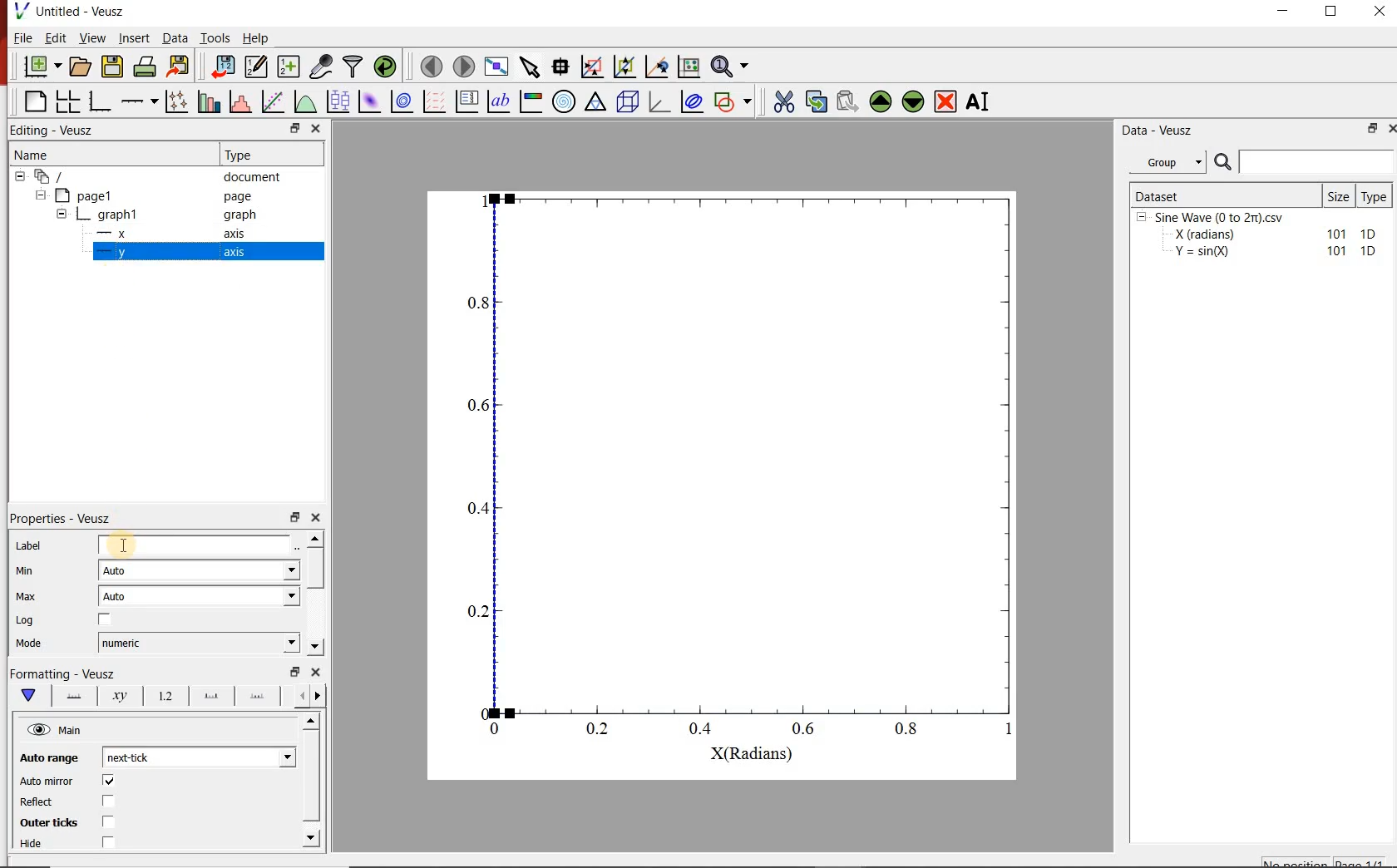  Describe the element at coordinates (313, 778) in the screenshot. I see `Horizontal scrollbar` at that location.